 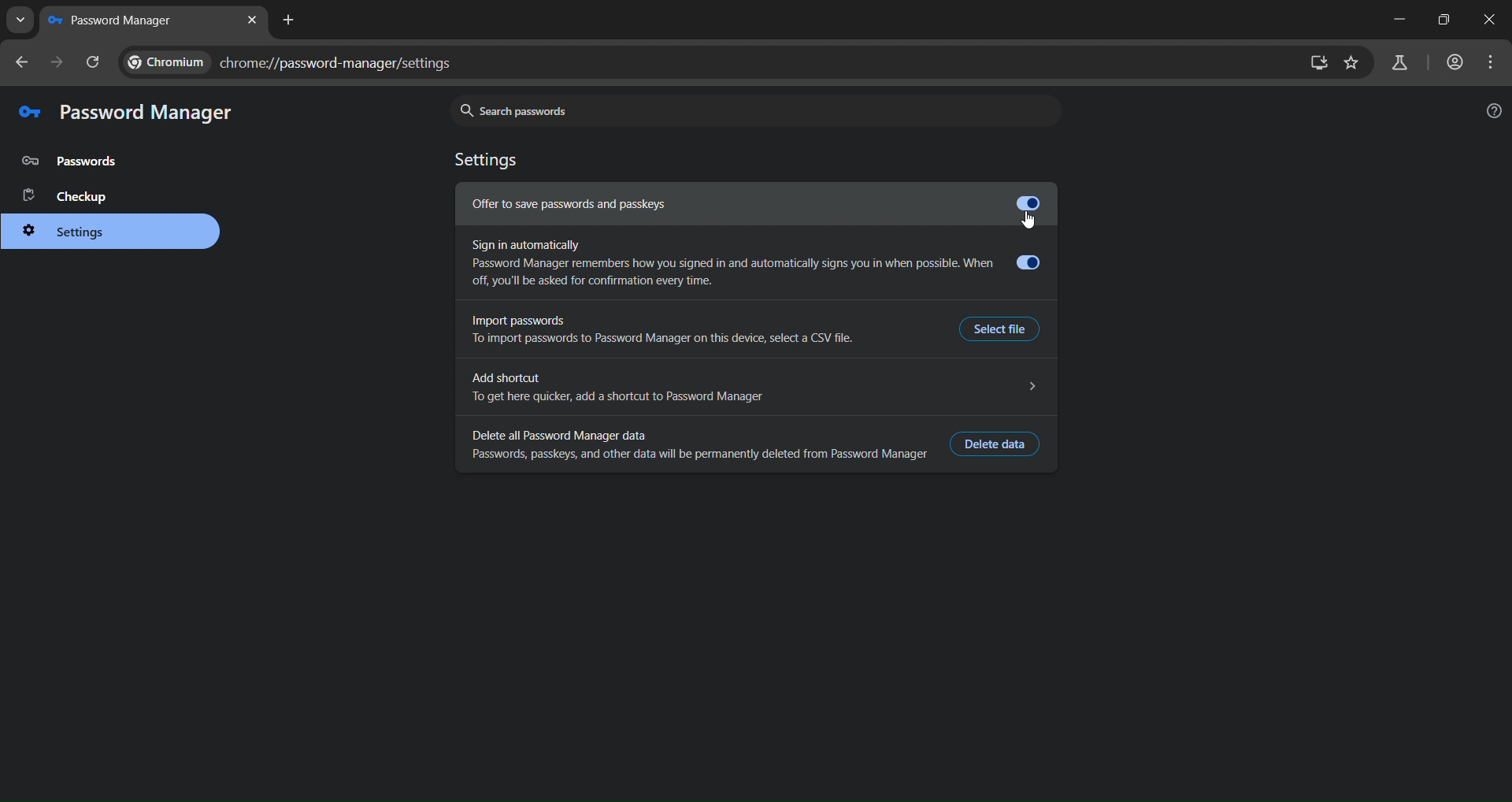 I want to click on help, so click(x=1489, y=110).